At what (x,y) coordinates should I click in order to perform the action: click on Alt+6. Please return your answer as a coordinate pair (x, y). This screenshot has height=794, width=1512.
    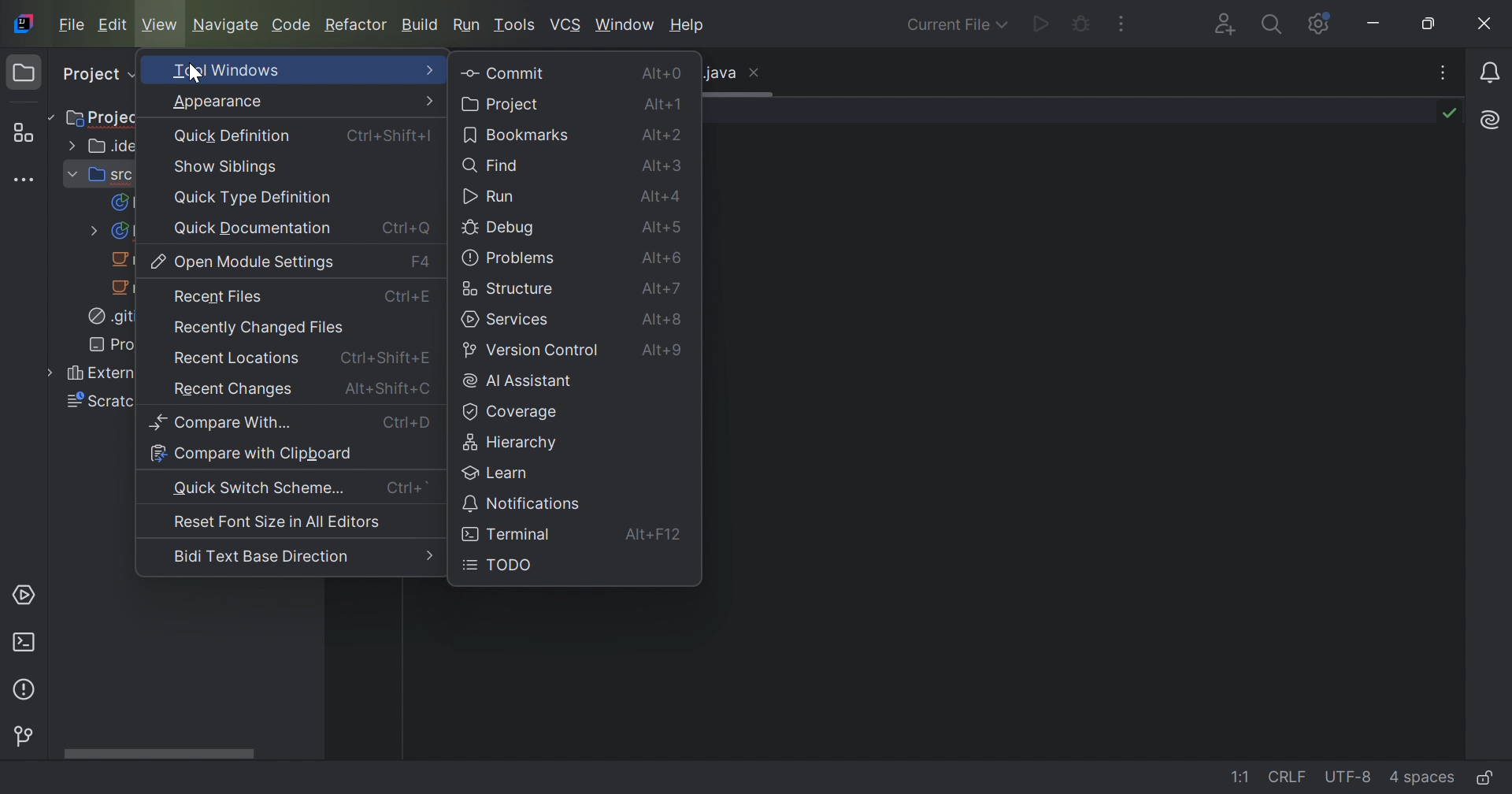
    Looking at the image, I should click on (662, 258).